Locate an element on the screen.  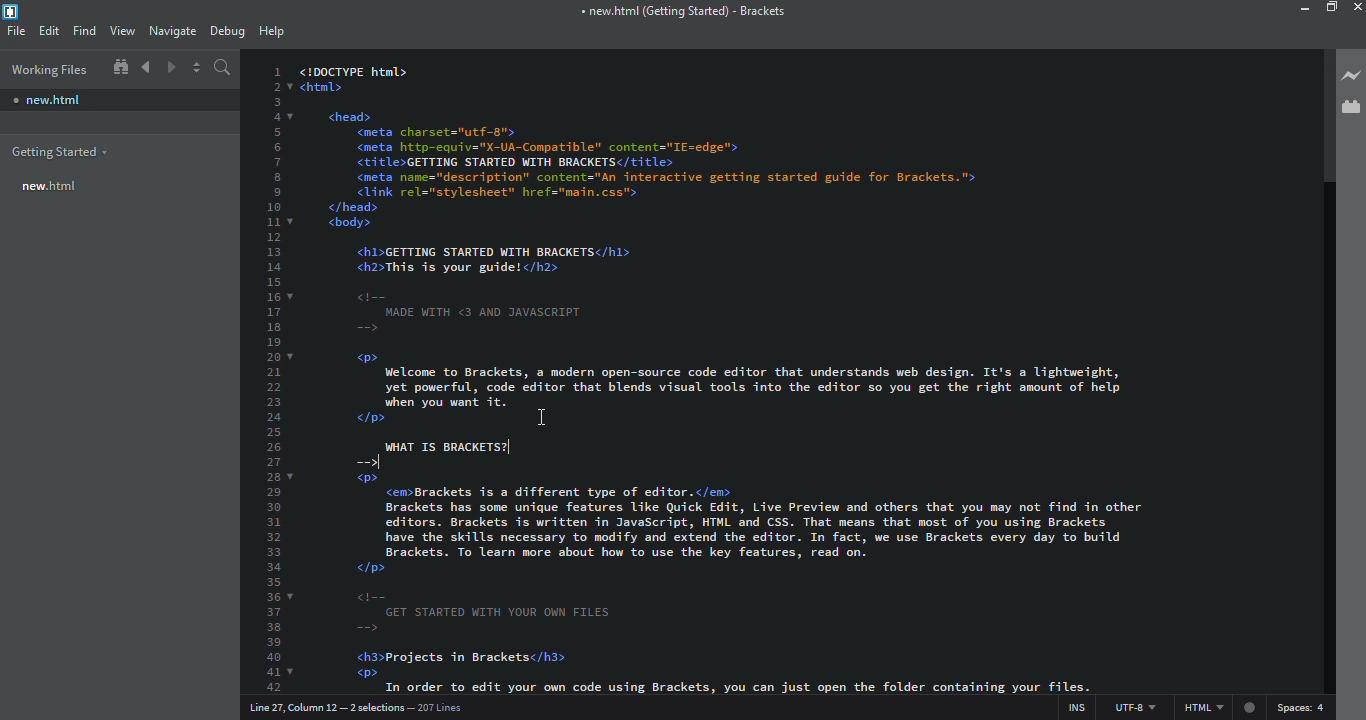
test code is located at coordinates (776, 585).